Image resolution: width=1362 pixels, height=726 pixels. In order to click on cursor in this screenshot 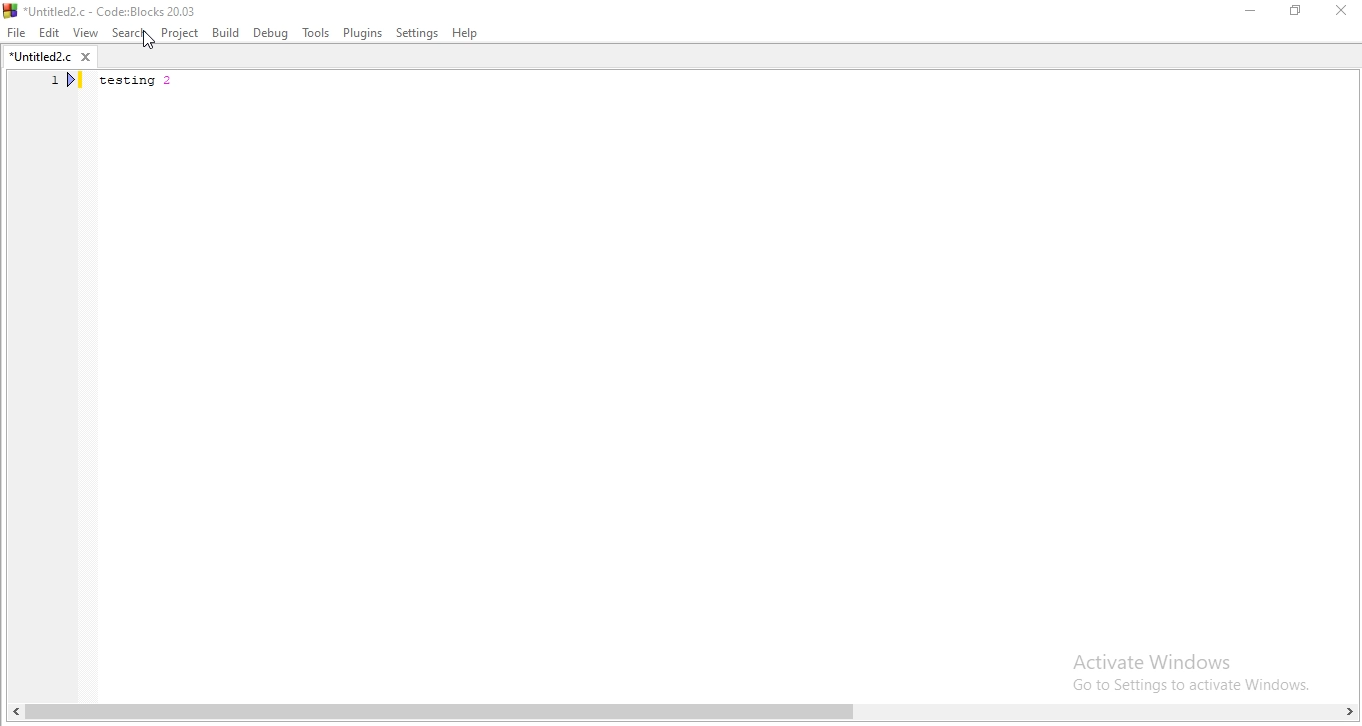, I will do `click(149, 41)`.